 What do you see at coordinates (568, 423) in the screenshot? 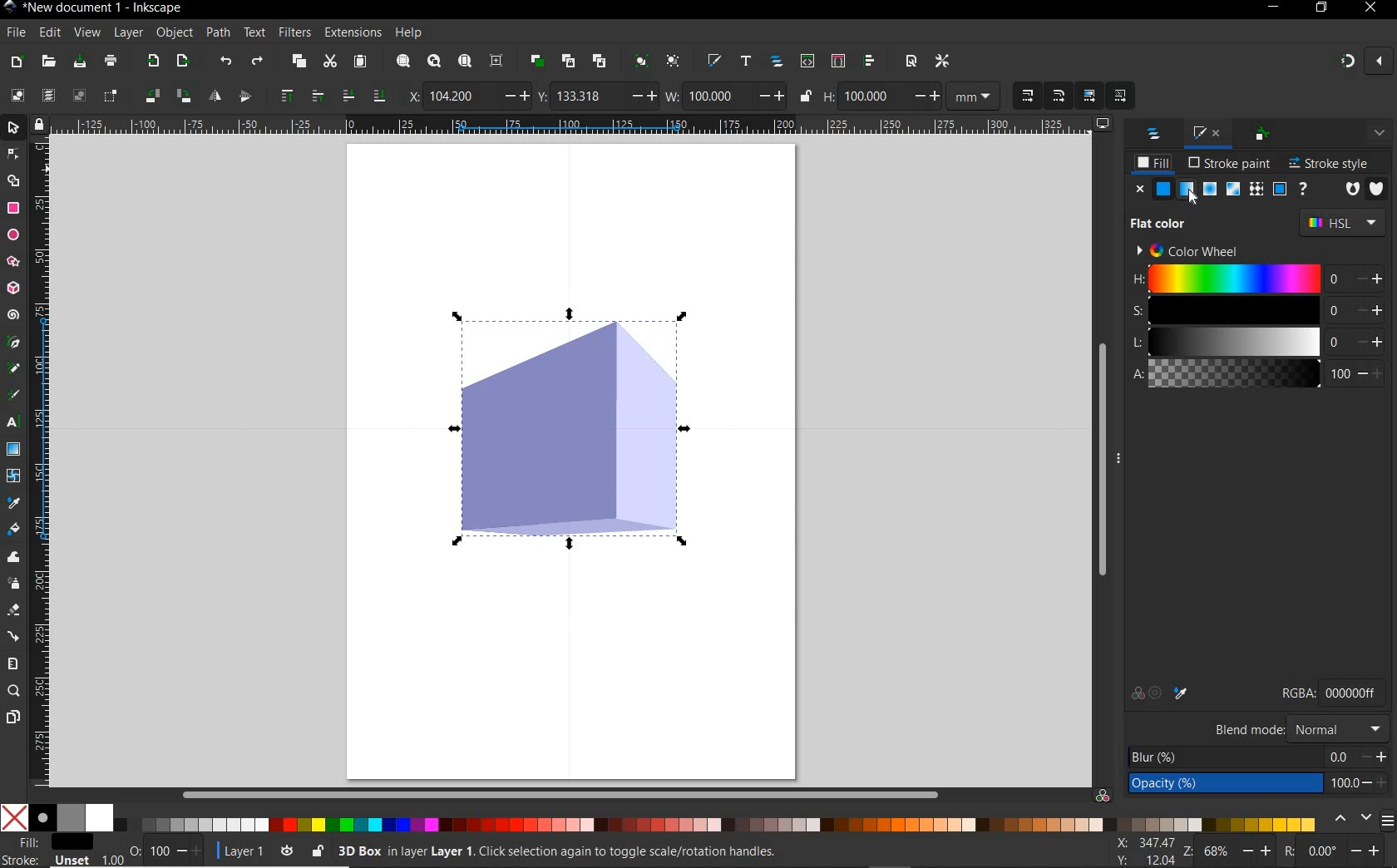
I see `SELECTED OBJECT` at bounding box center [568, 423].